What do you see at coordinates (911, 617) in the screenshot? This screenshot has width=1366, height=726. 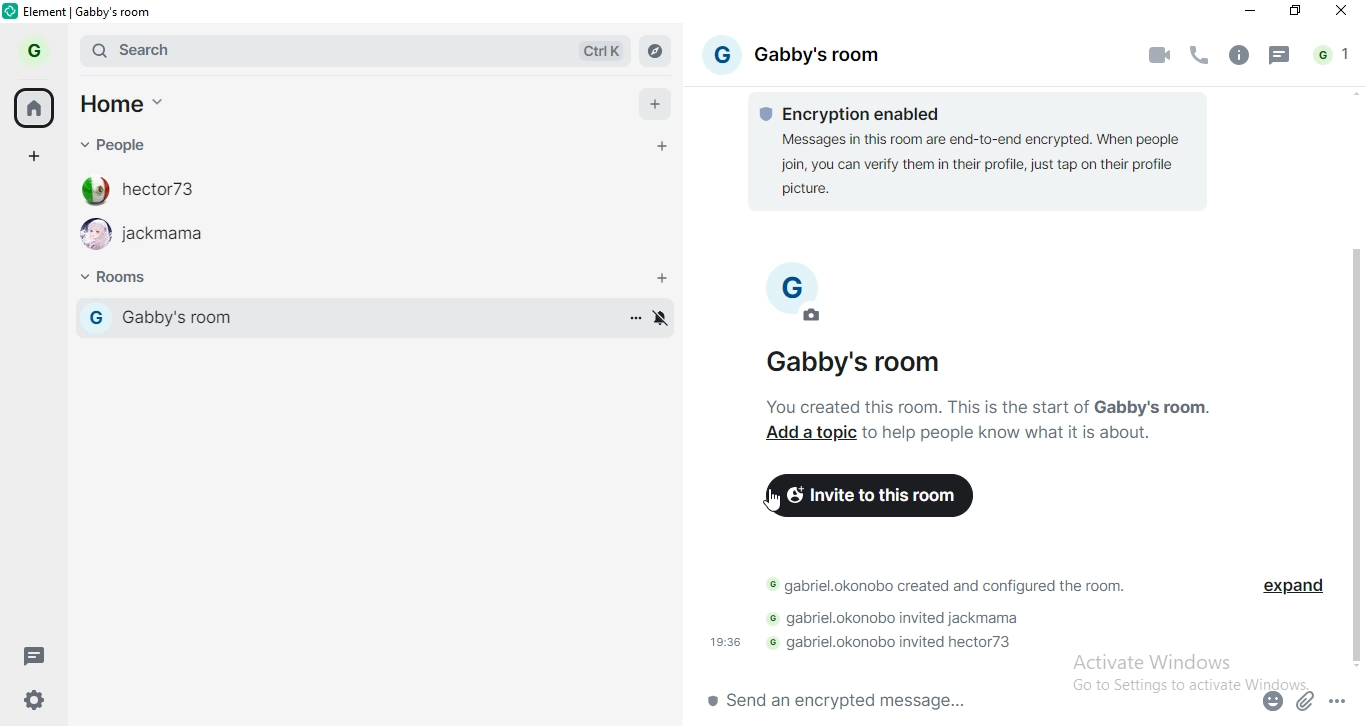 I see `text 3` at bounding box center [911, 617].